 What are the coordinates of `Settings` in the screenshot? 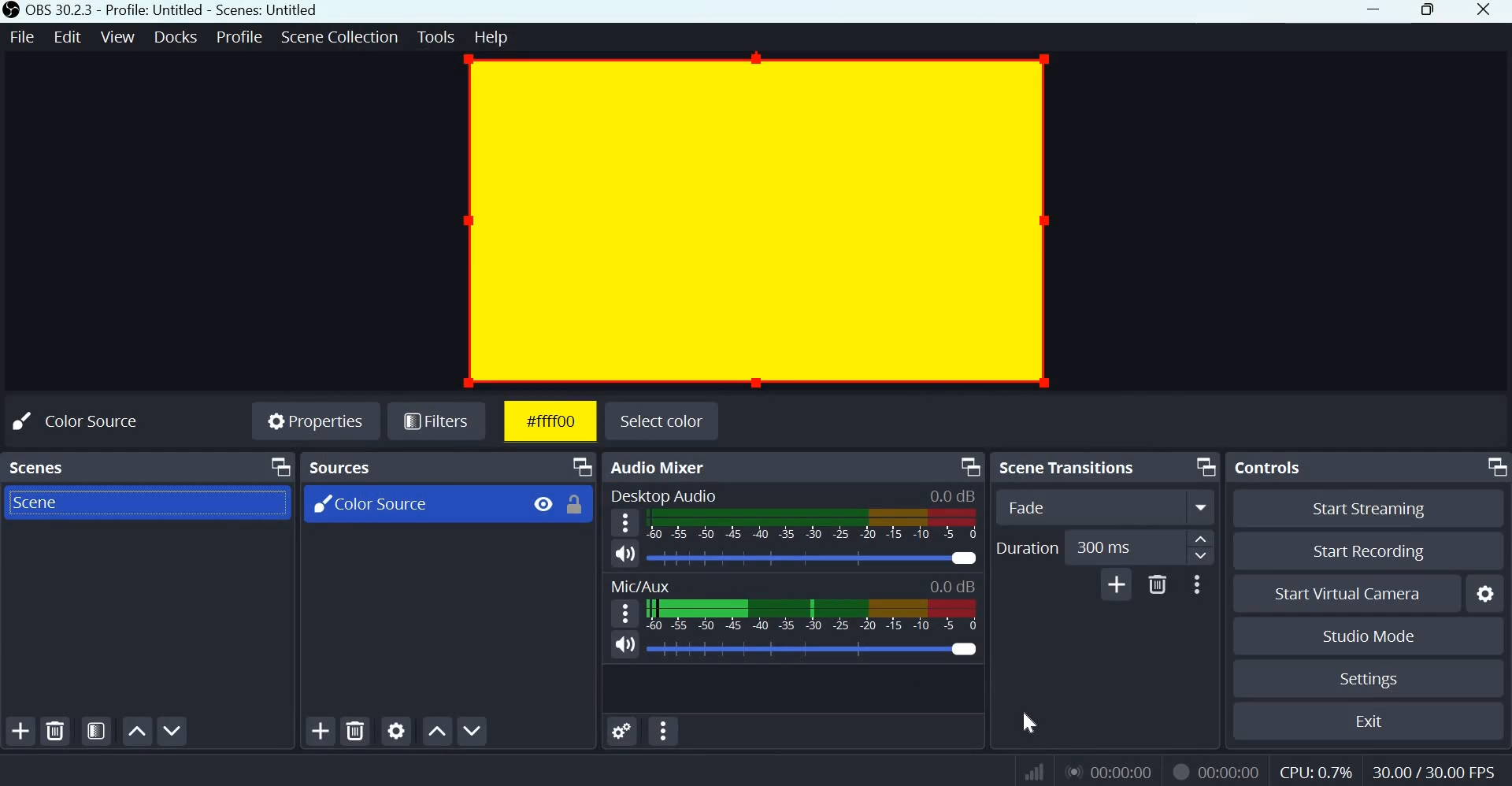 It's located at (1367, 679).